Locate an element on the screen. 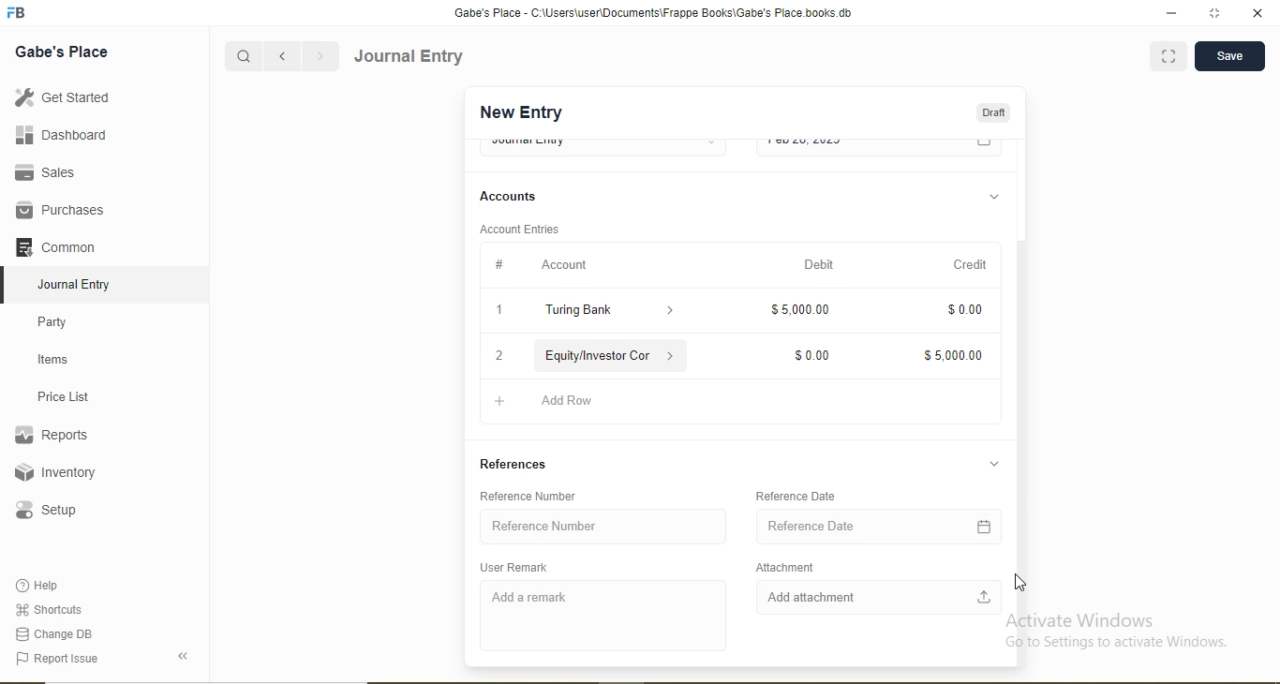 Image resolution: width=1280 pixels, height=684 pixels. Credit is located at coordinates (971, 266).